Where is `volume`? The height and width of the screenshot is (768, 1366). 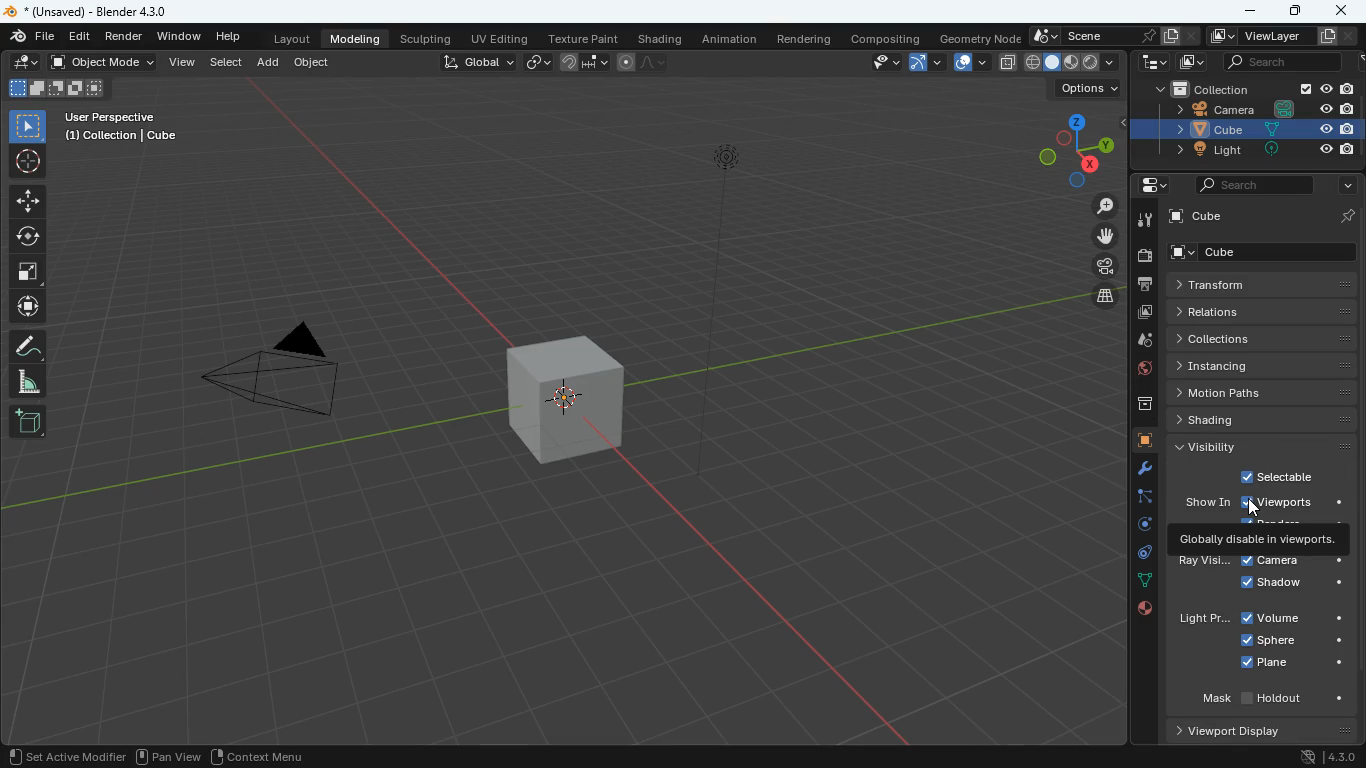
volume is located at coordinates (1293, 618).